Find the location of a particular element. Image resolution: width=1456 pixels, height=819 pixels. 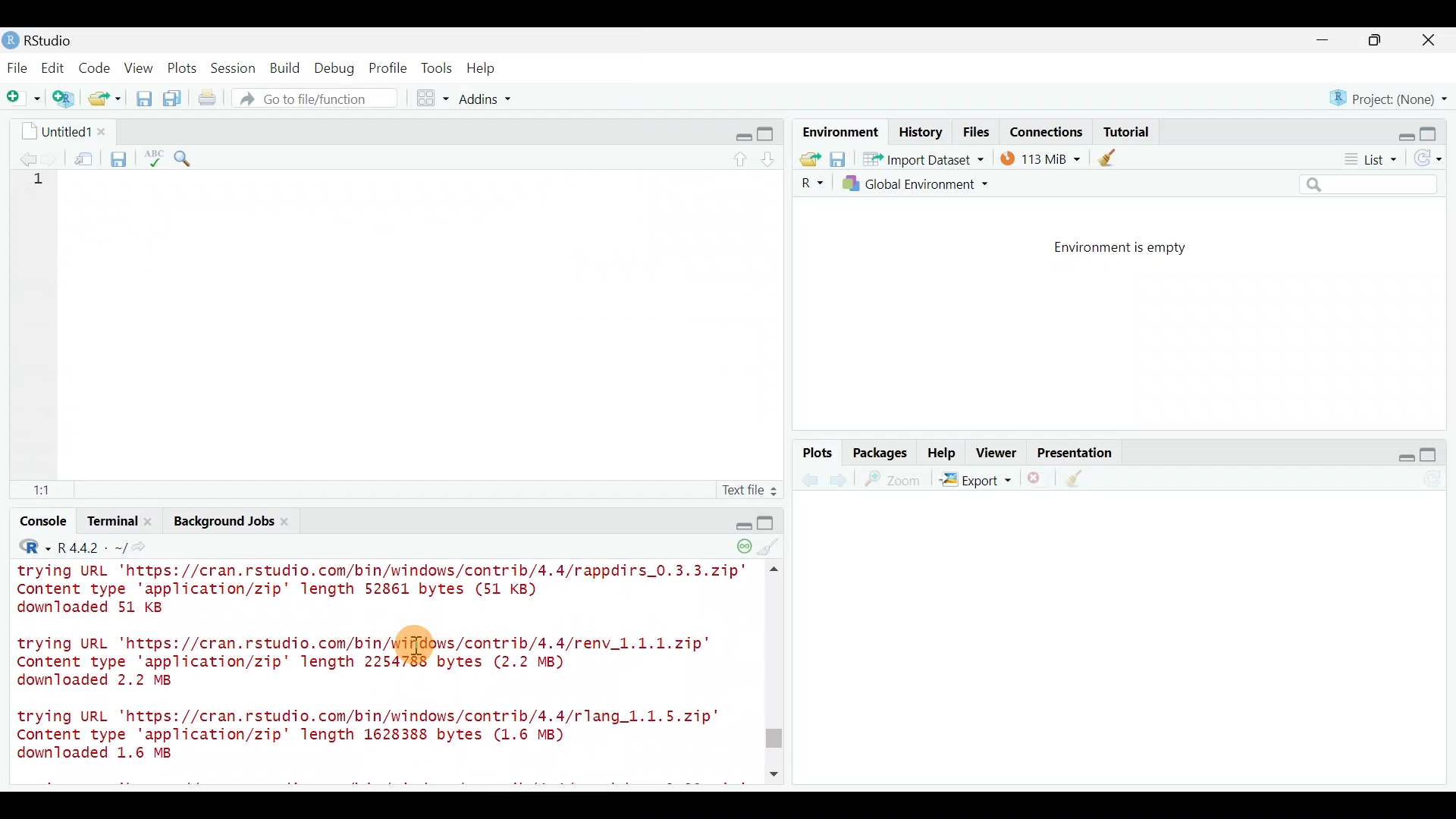

Refresh list of objects in the environment is located at coordinates (1433, 160).